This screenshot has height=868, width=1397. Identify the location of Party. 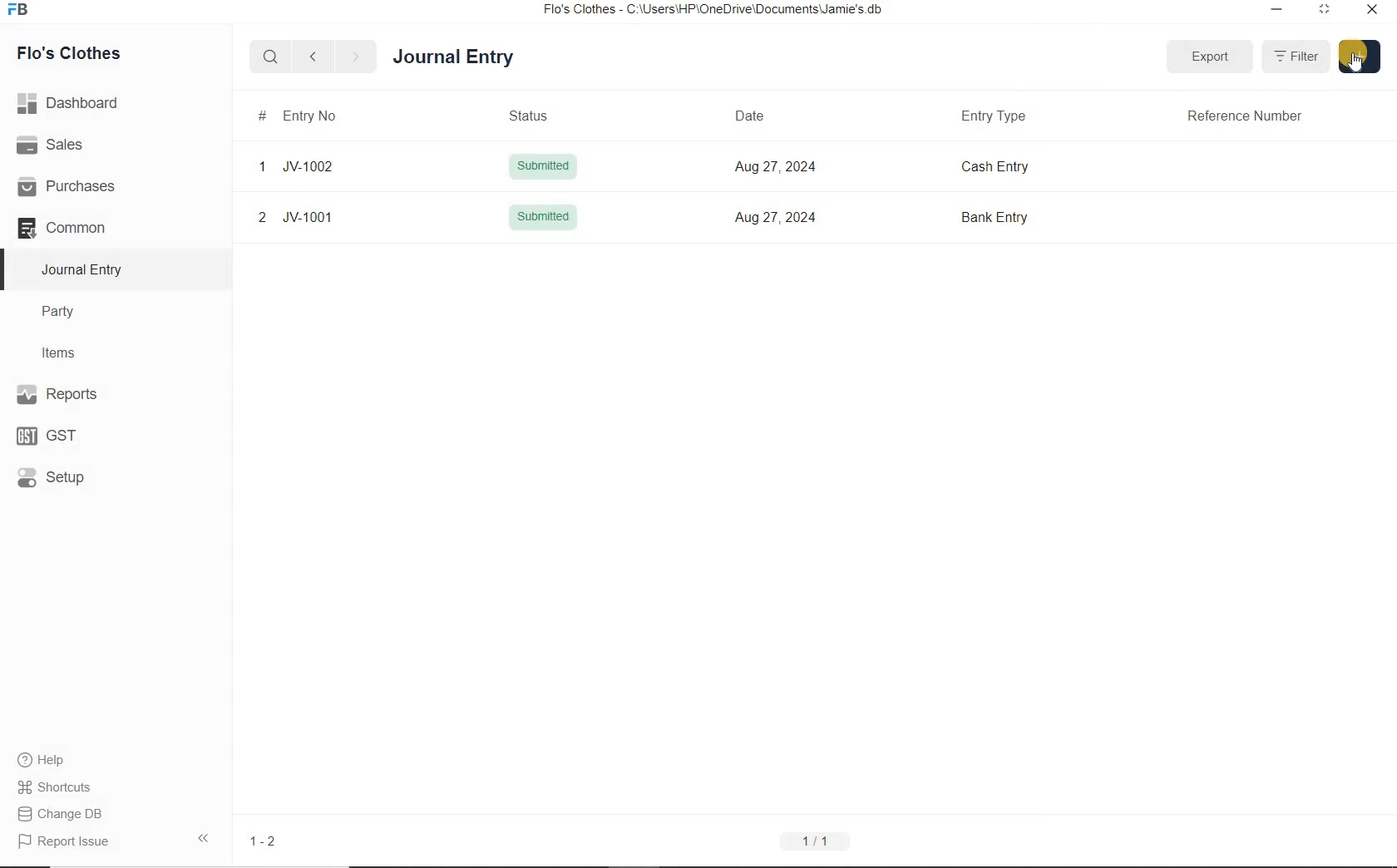
(70, 312).